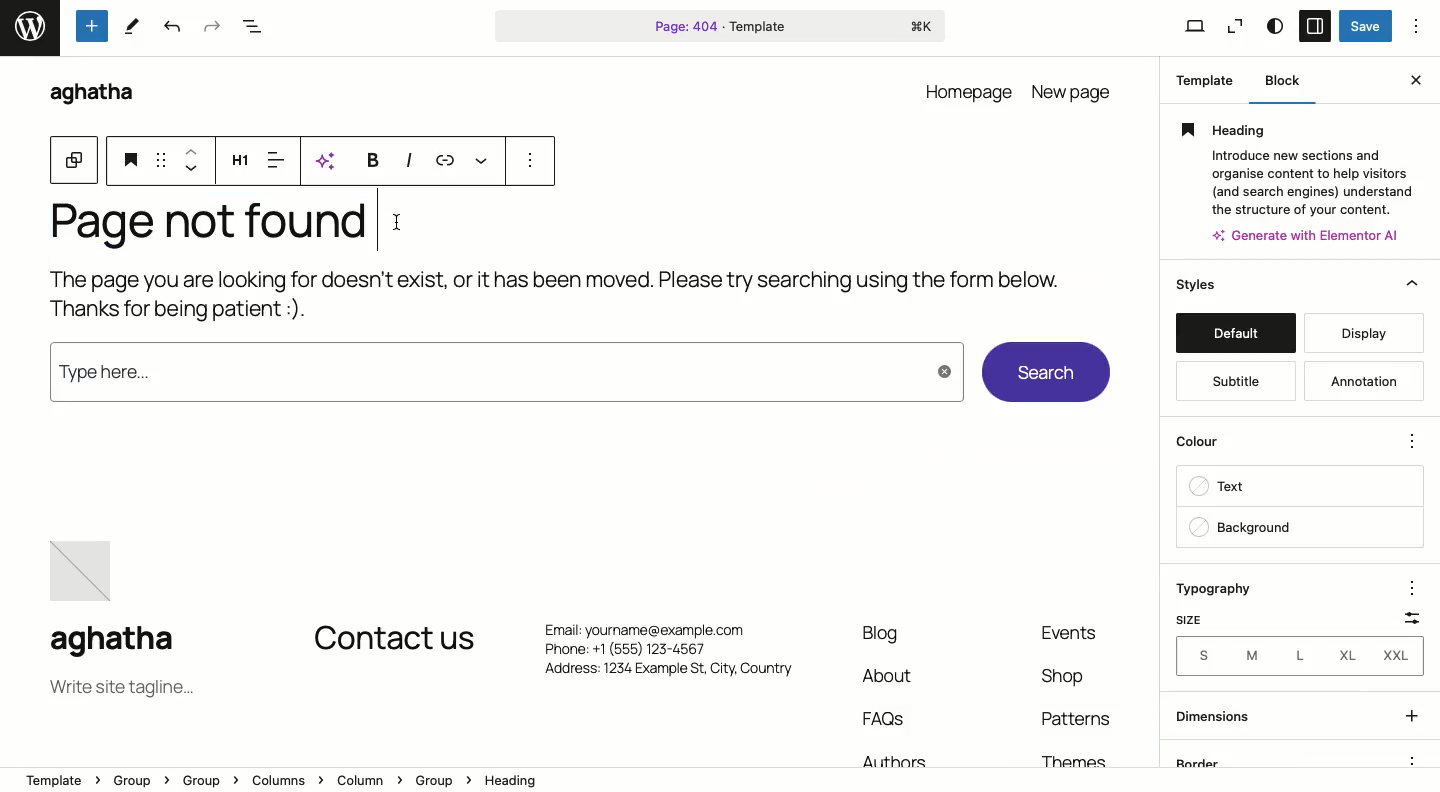 The width and height of the screenshot is (1440, 792). What do you see at coordinates (1199, 79) in the screenshot?
I see `Template` at bounding box center [1199, 79].